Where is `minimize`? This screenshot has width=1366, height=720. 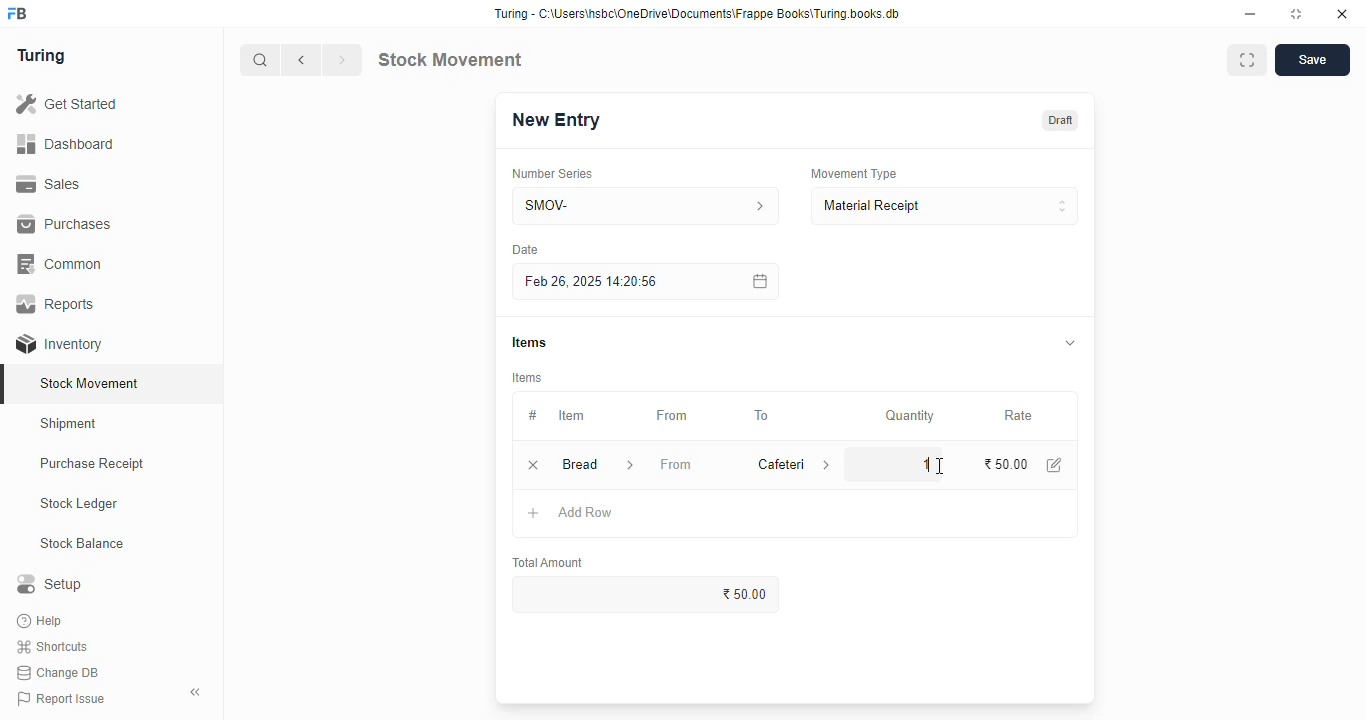 minimize is located at coordinates (1250, 15).